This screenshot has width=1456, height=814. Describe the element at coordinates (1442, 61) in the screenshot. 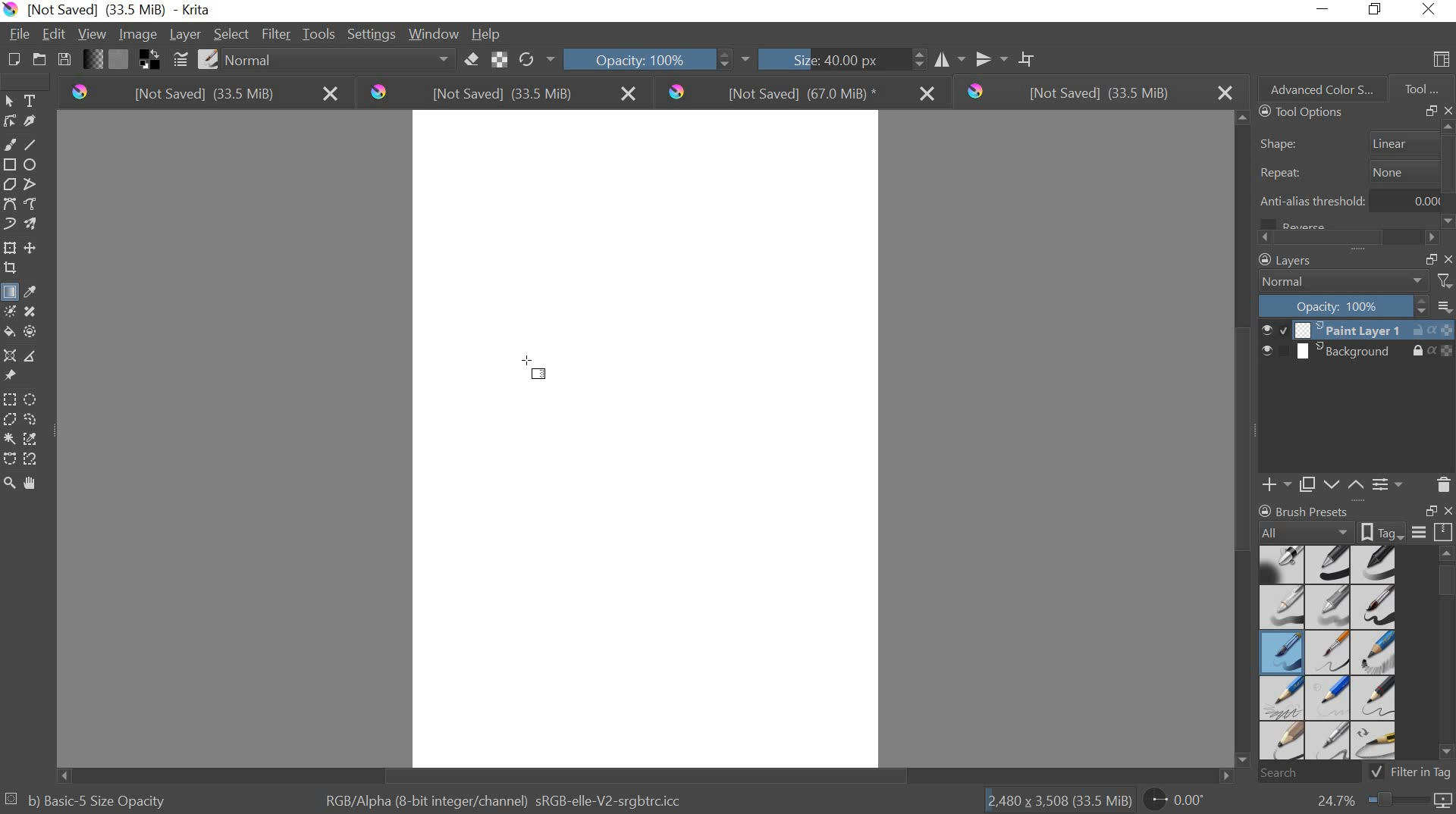

I see `CHOOSE WORKSPACE` at that location.